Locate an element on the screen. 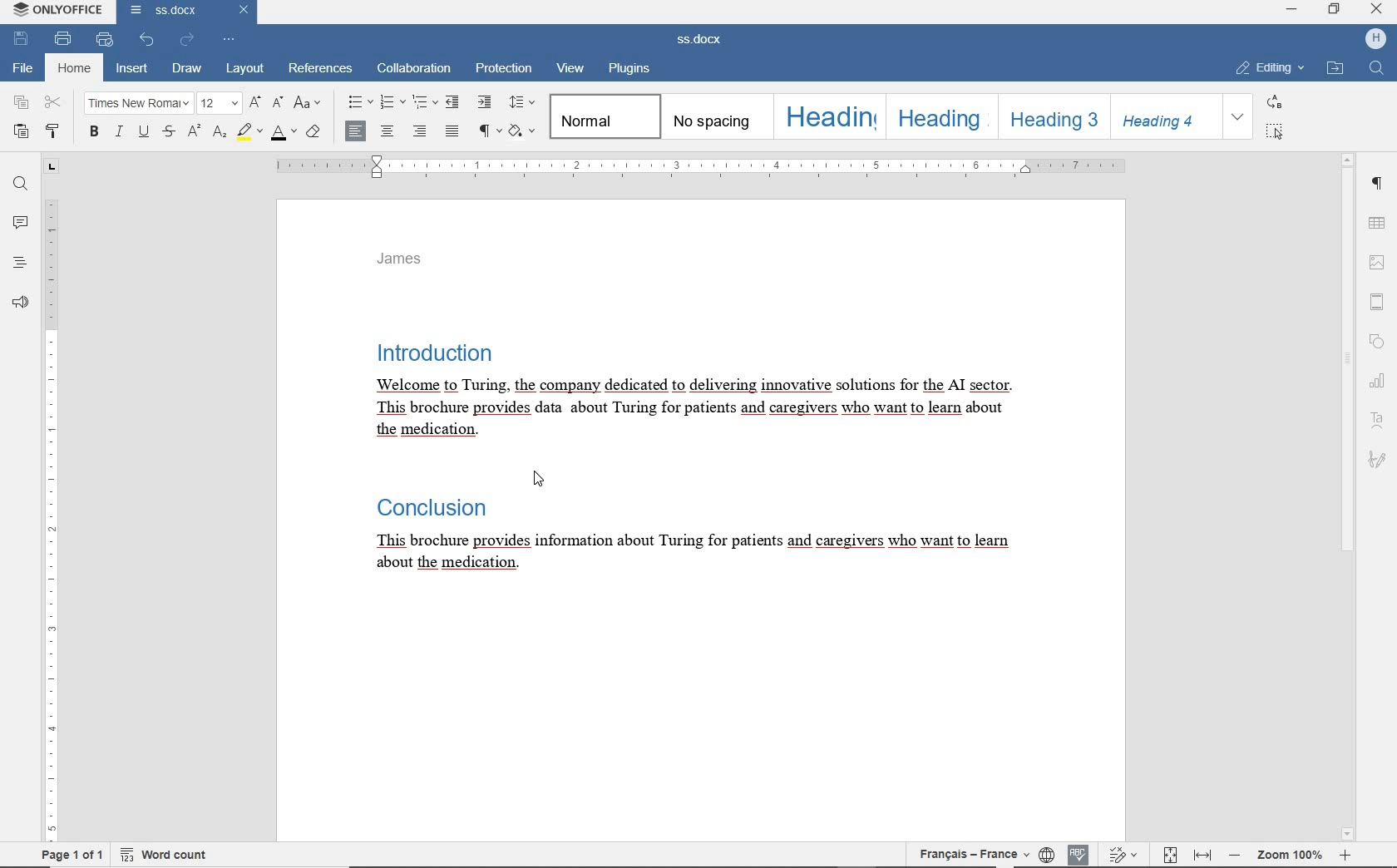 This screenshot has width=1397, height=868. PROTECTION is located at coordinates (505, 67).